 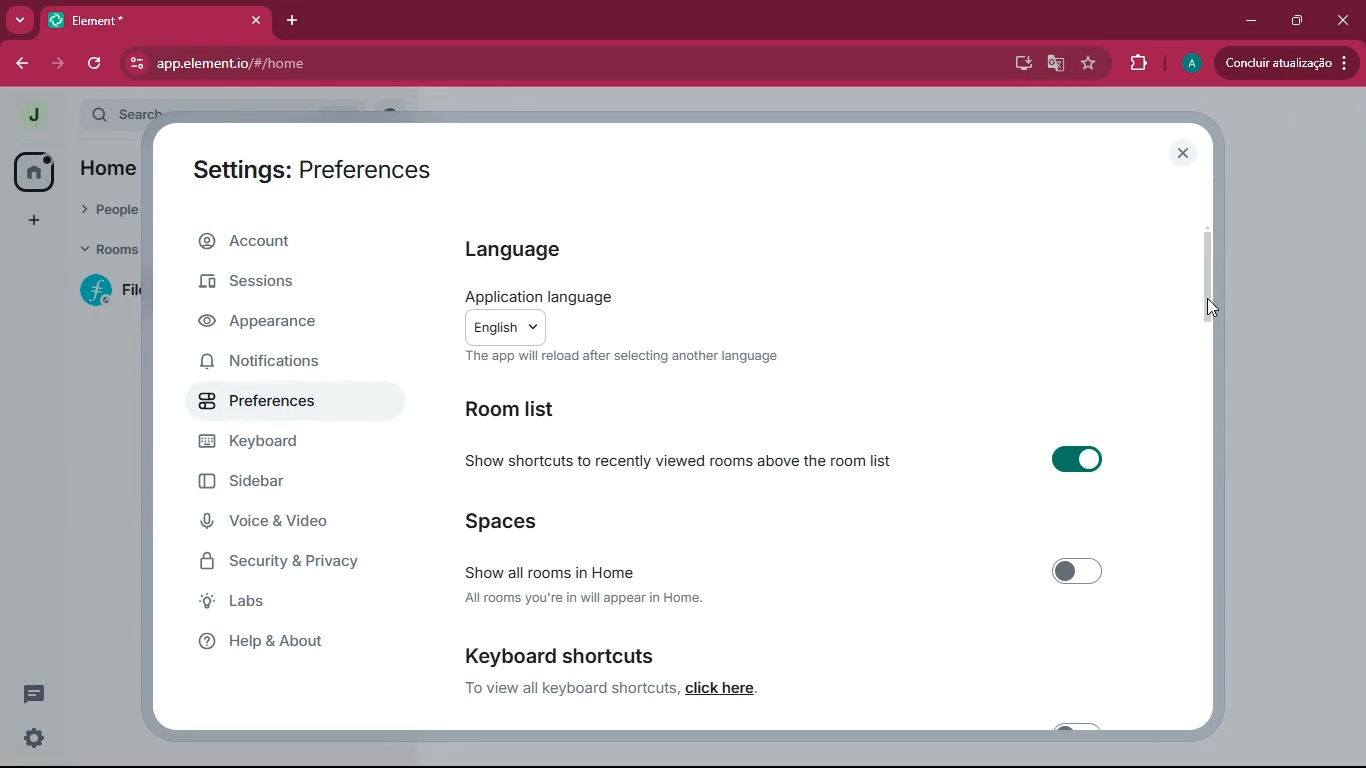 I want to click on help, so click(x=295, y=643).